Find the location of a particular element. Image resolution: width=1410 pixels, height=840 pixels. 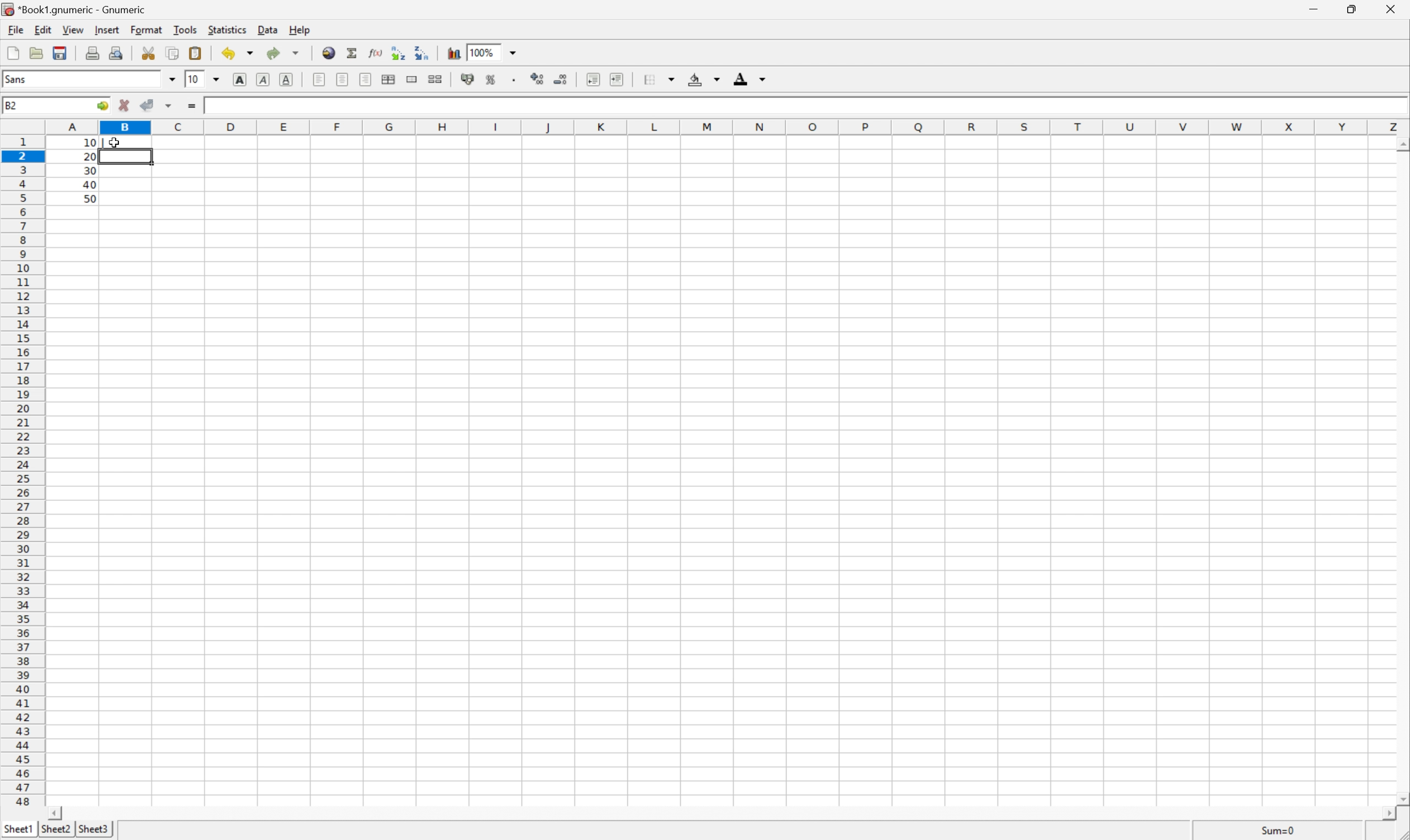

Align Left is located at coordinates (318, 79).